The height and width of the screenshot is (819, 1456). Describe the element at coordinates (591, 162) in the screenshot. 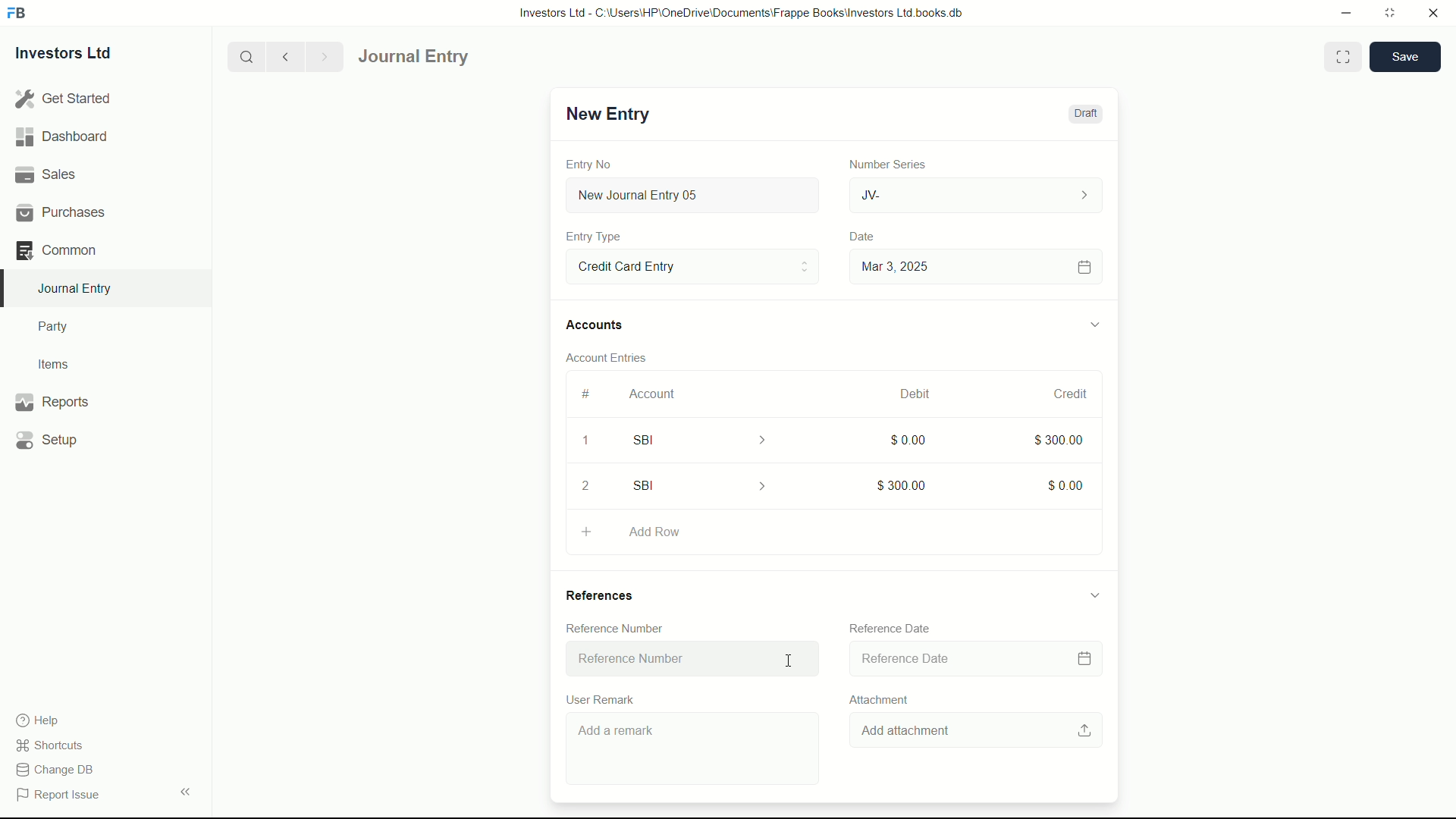

I see `Entry No` at that location.